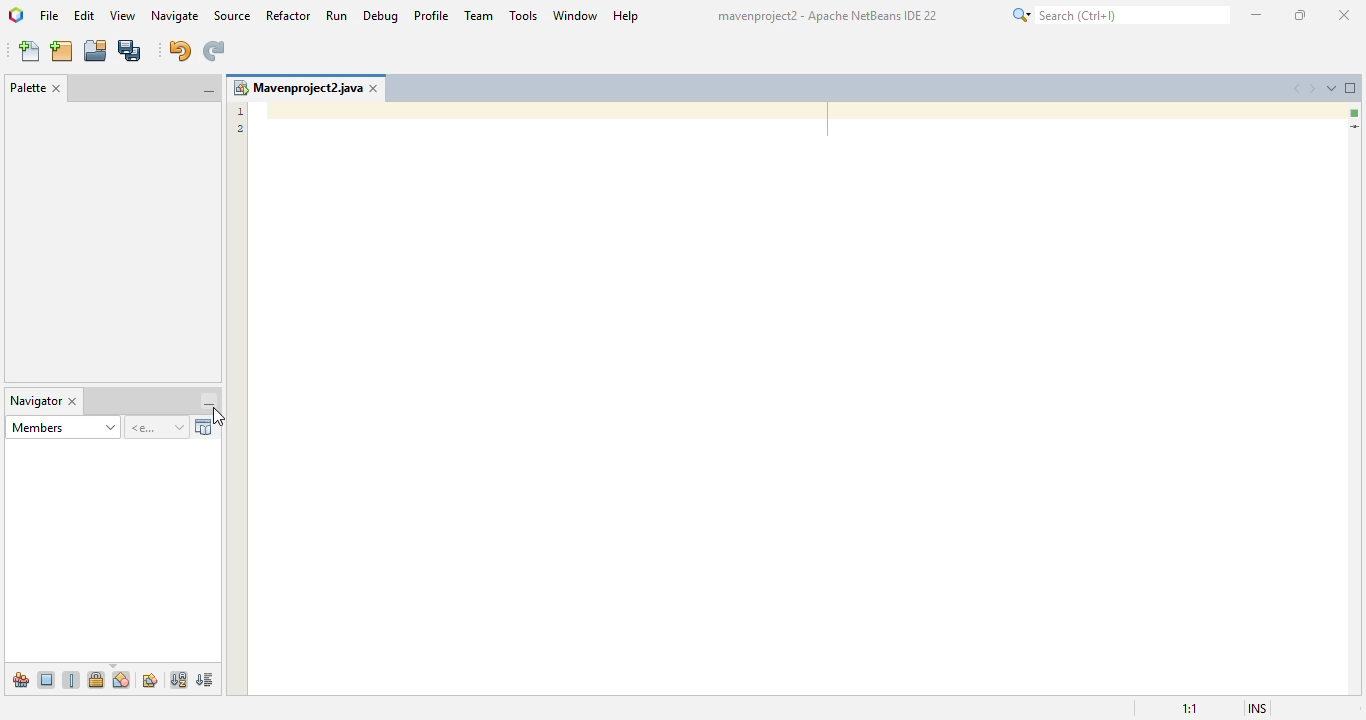 The image size is (1366, 720). I want to click on open javadoc window, so click(206, 427).